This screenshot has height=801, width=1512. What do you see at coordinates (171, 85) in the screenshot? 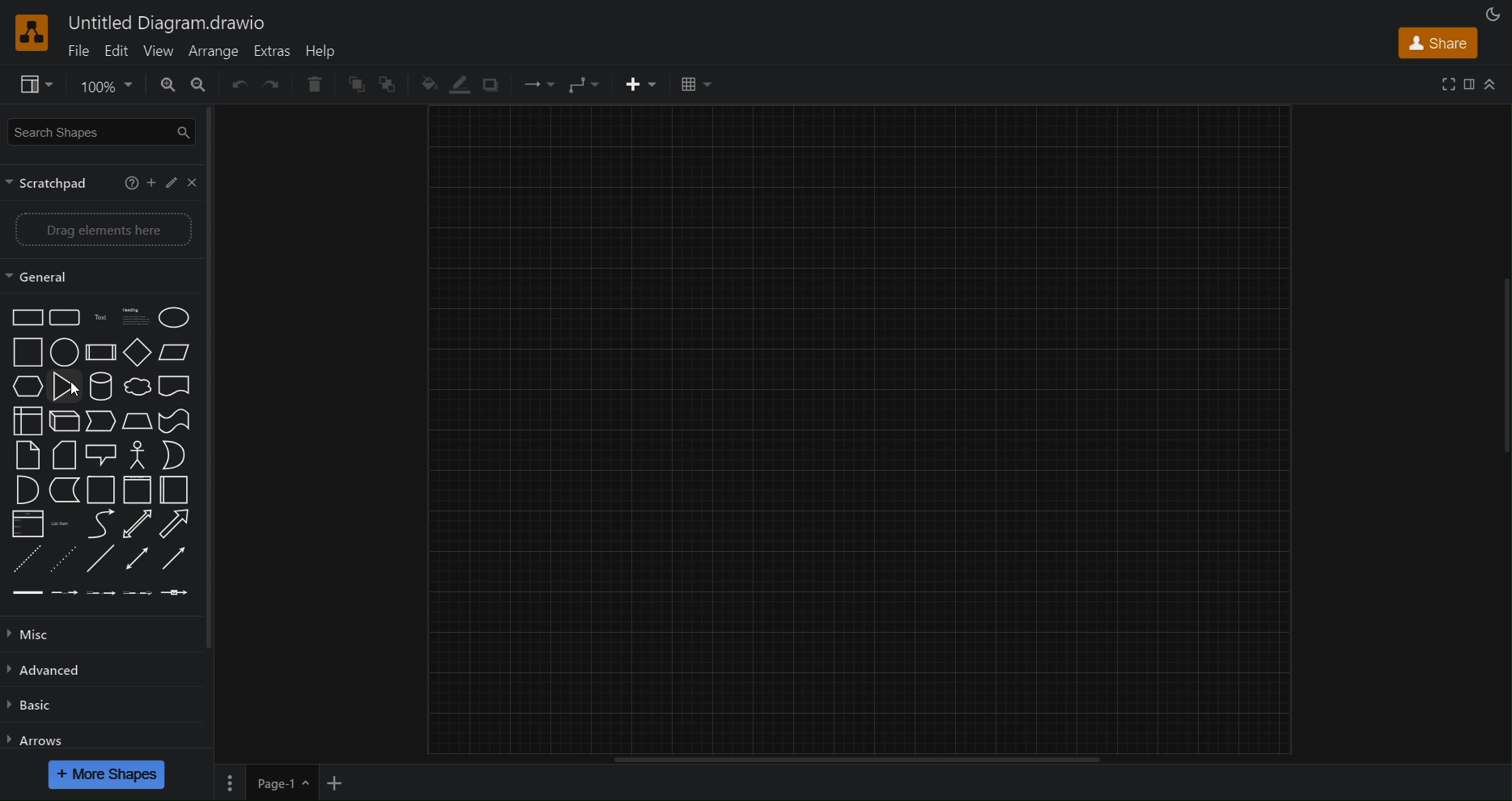
I see `Zoom In` at bounding box center [171, 85].